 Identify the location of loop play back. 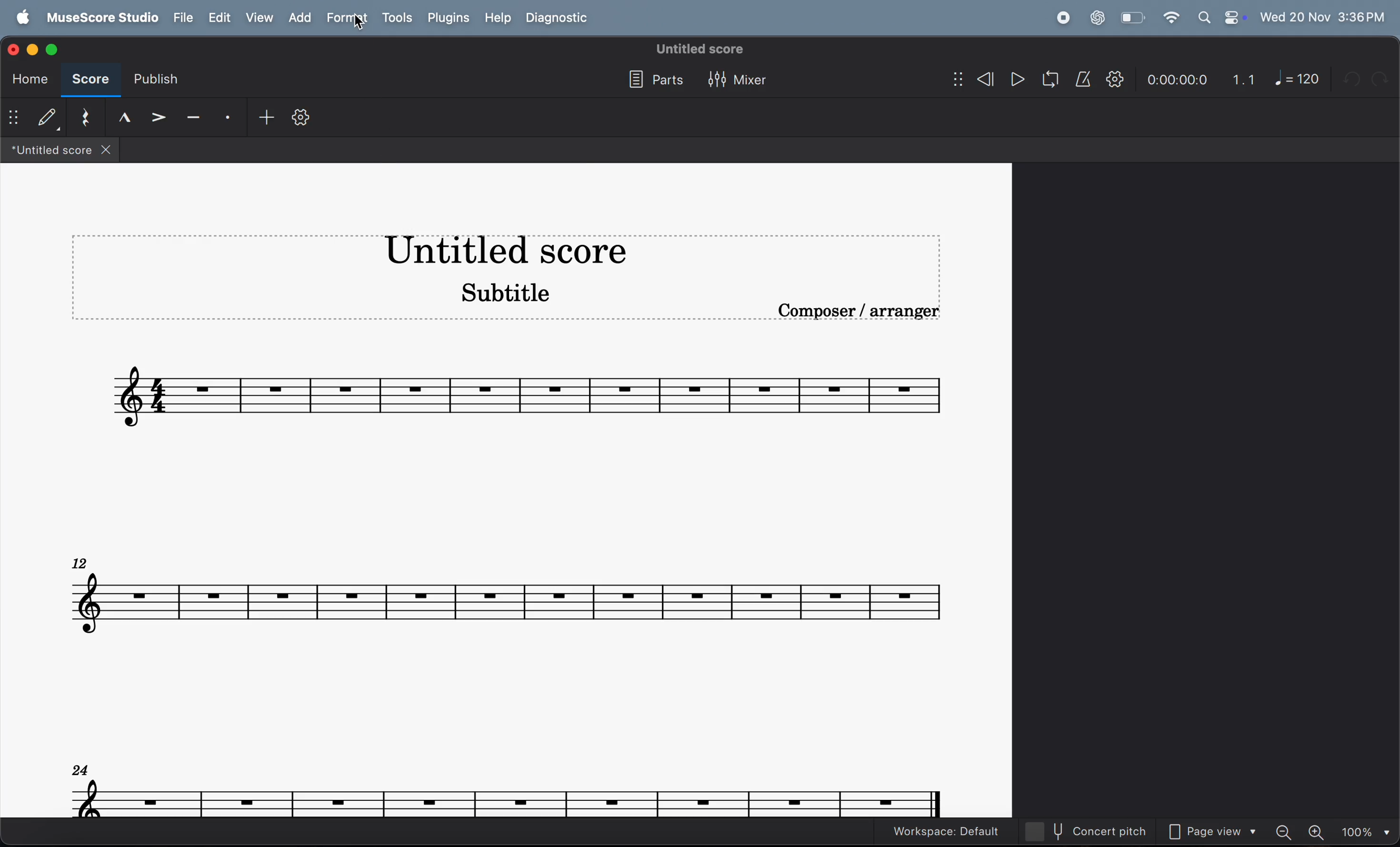
(1051, 80).